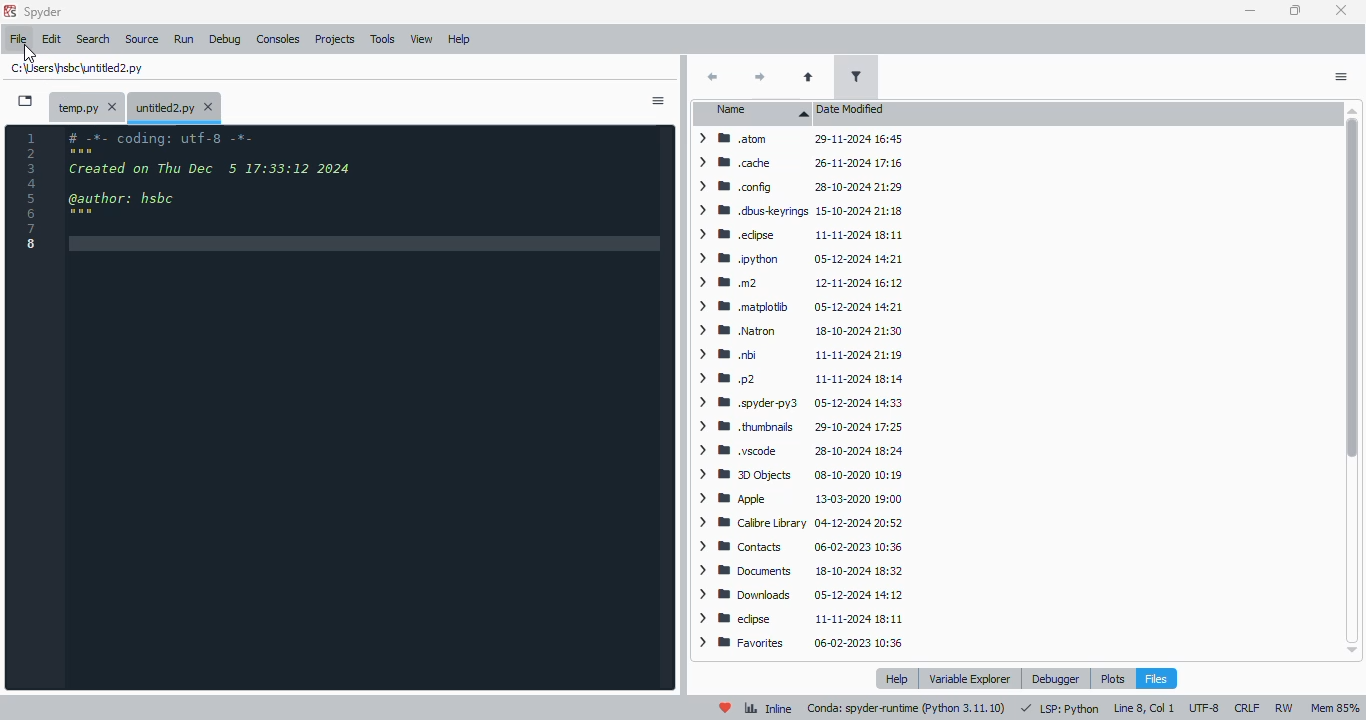 Image resolution: width=1366 pixels, height=720 pixels. What do you see at coordinates (29, 53) in the screenshot?
I see `cursor` at bounding box center [29, 53].